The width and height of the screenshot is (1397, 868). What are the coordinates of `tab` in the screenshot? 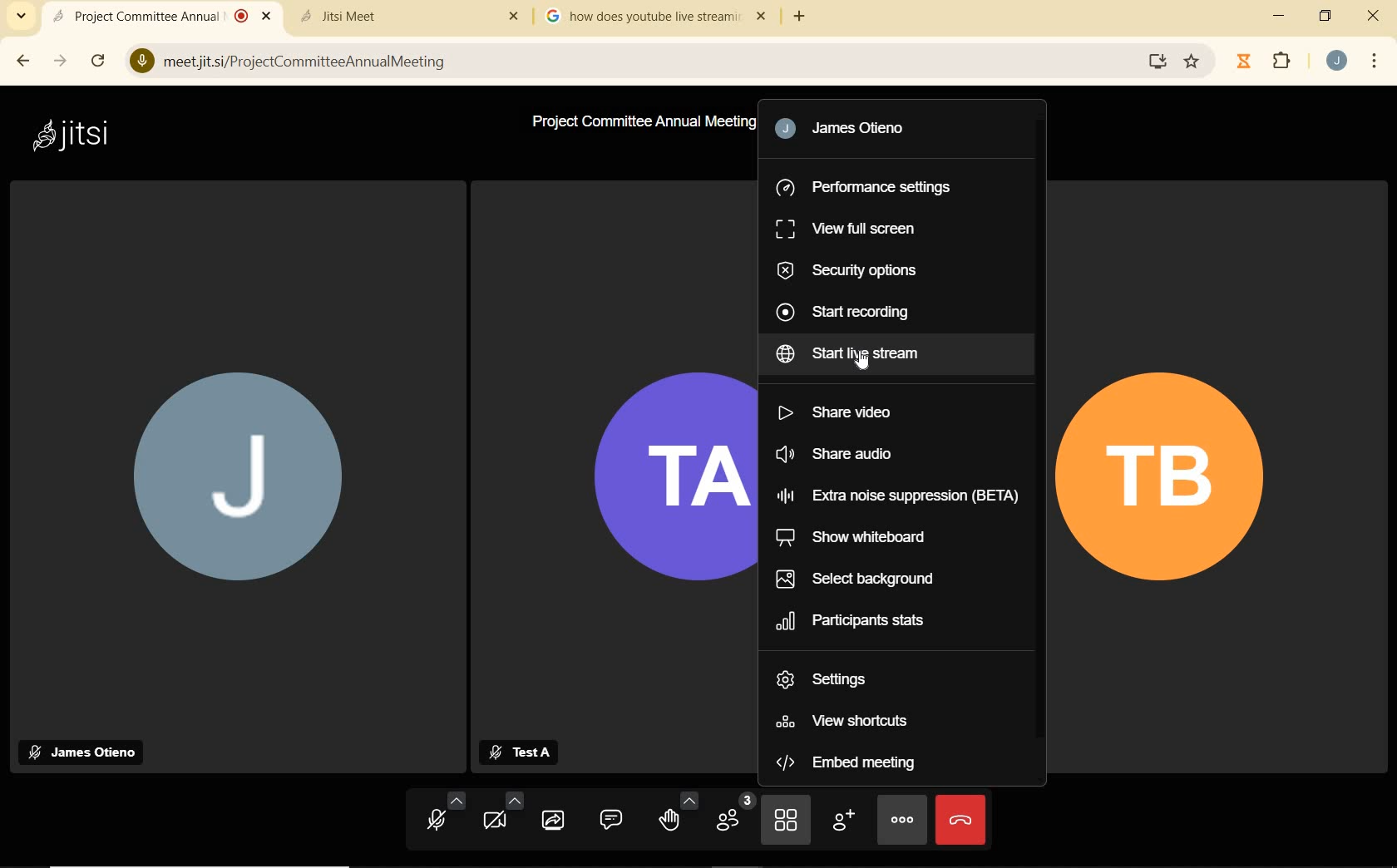 It's located at (388, 16).